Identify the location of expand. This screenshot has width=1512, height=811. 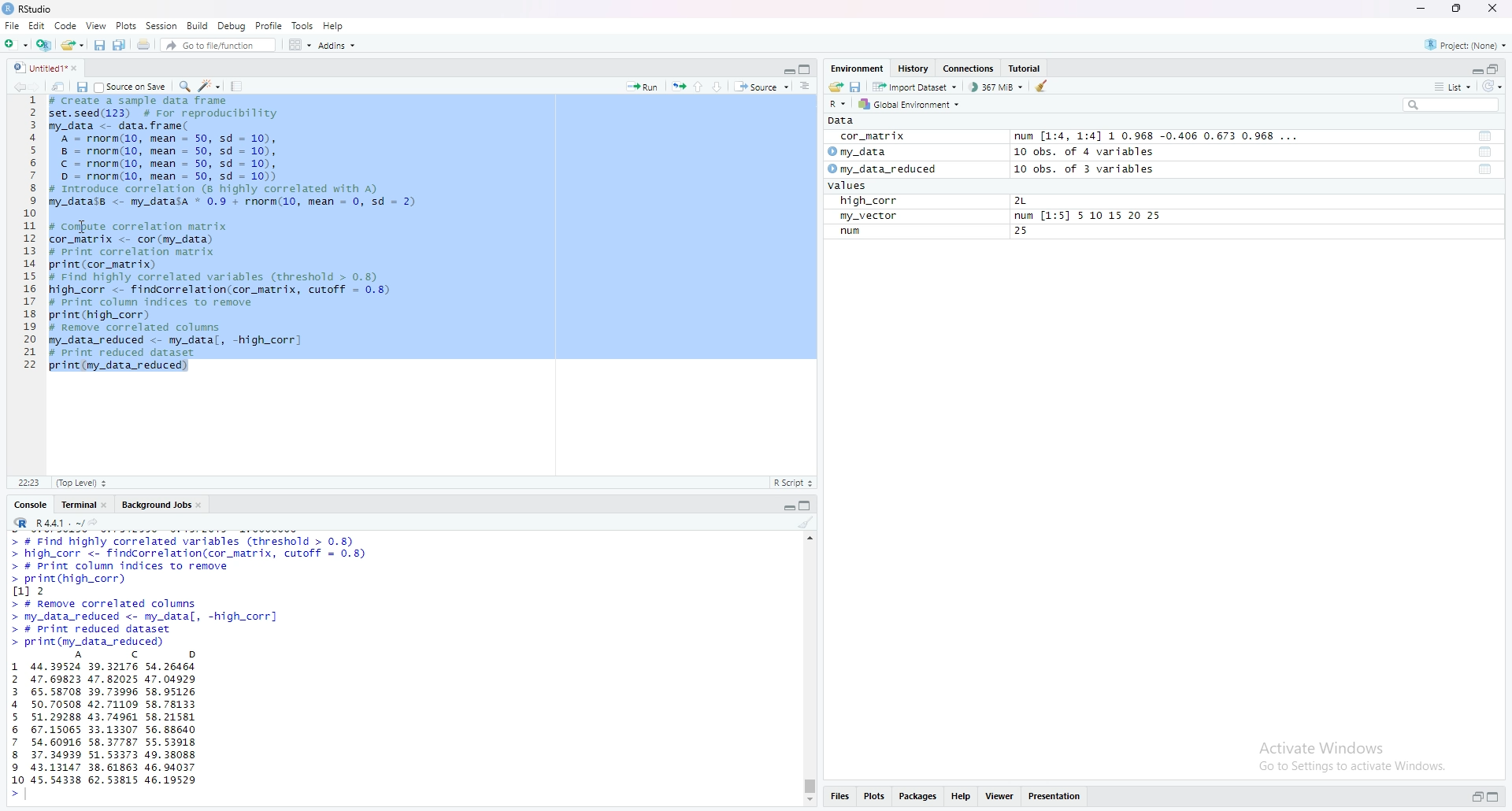
(1493, 797).